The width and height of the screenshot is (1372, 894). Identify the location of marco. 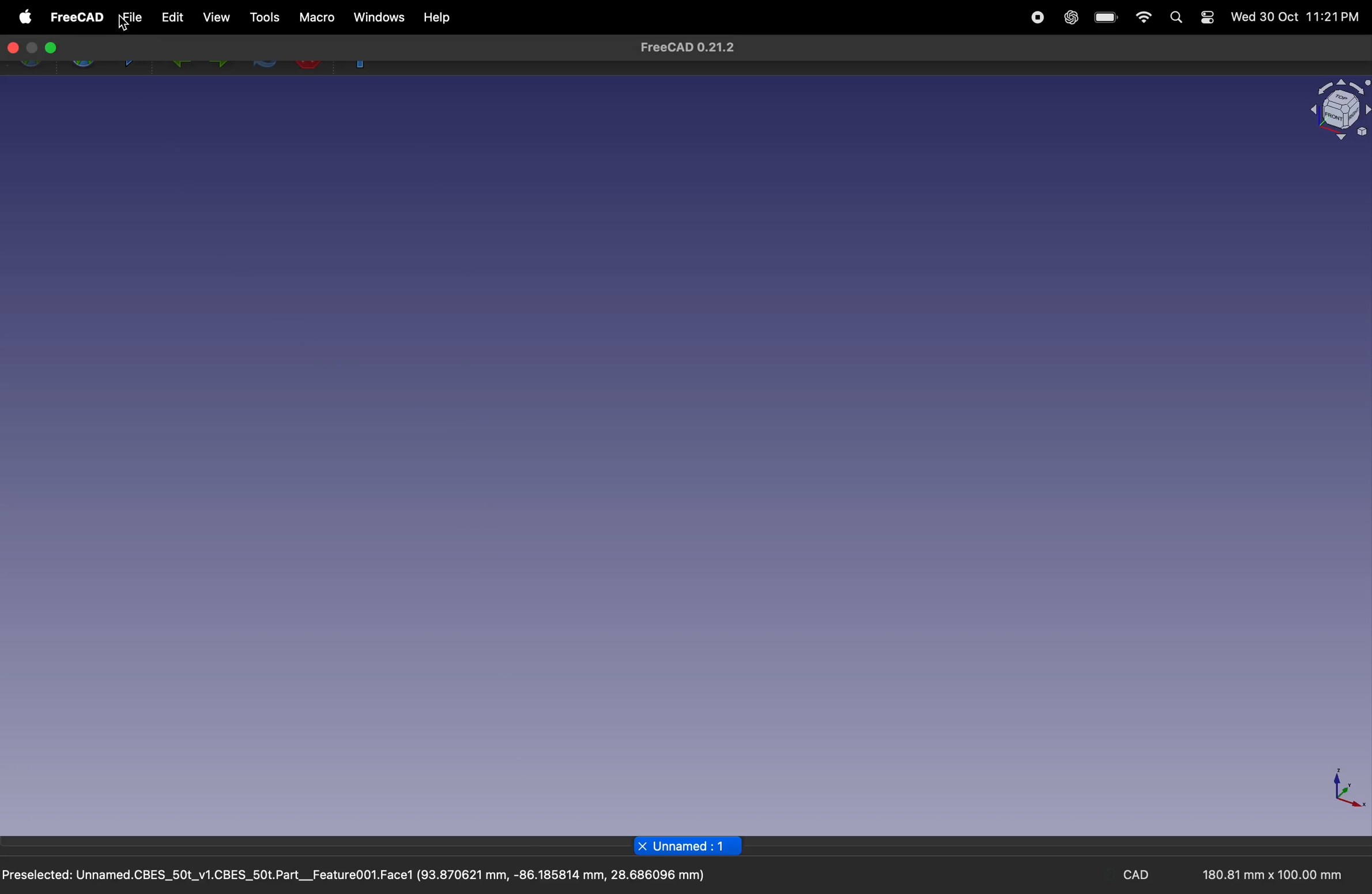
(315, 18).